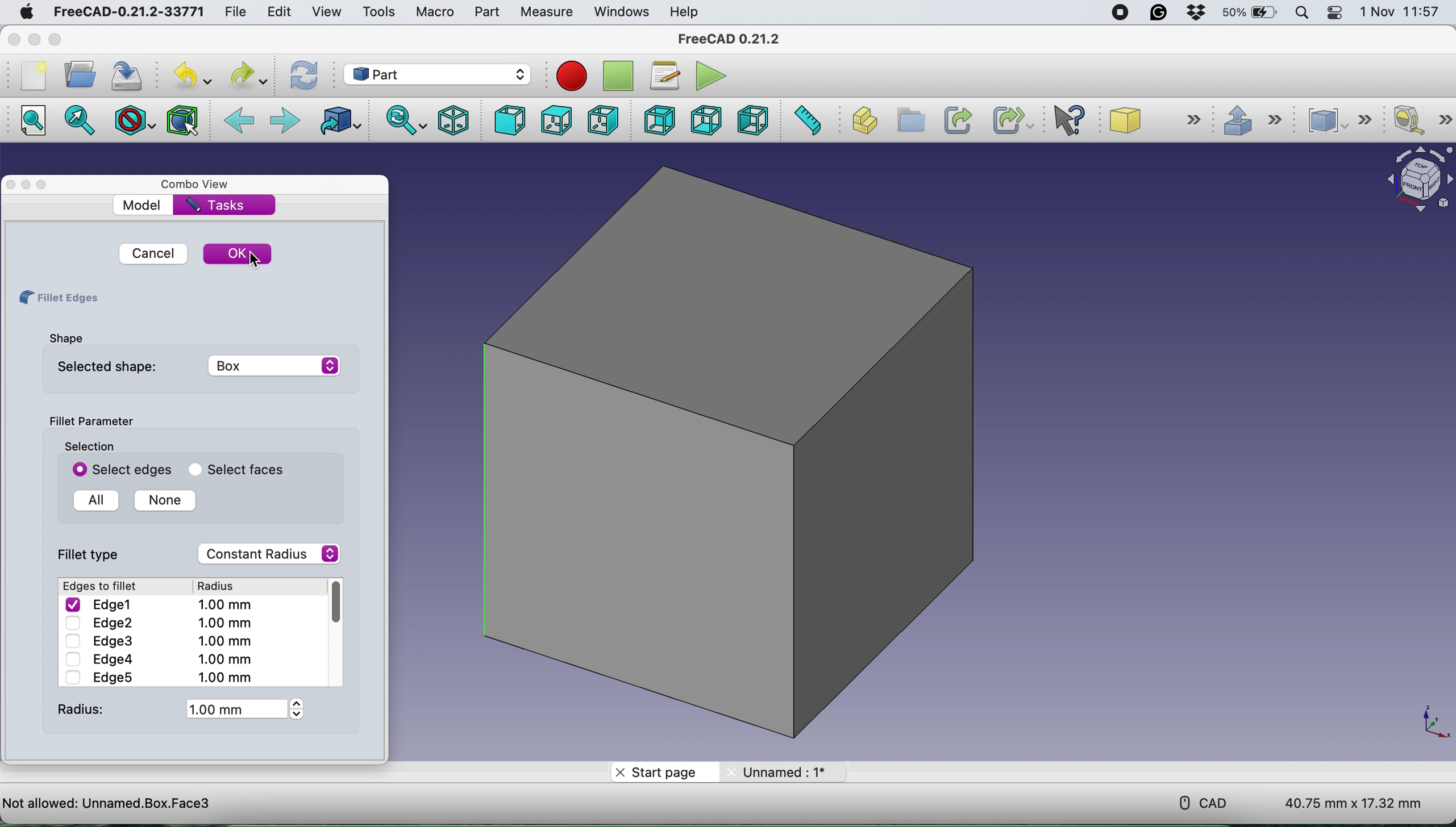 Image resolution: width=1456 pixels, height=827 pixels. Describe the element at coordinates (338, 123) in the screenshot. I see `go to linked object` at that location.